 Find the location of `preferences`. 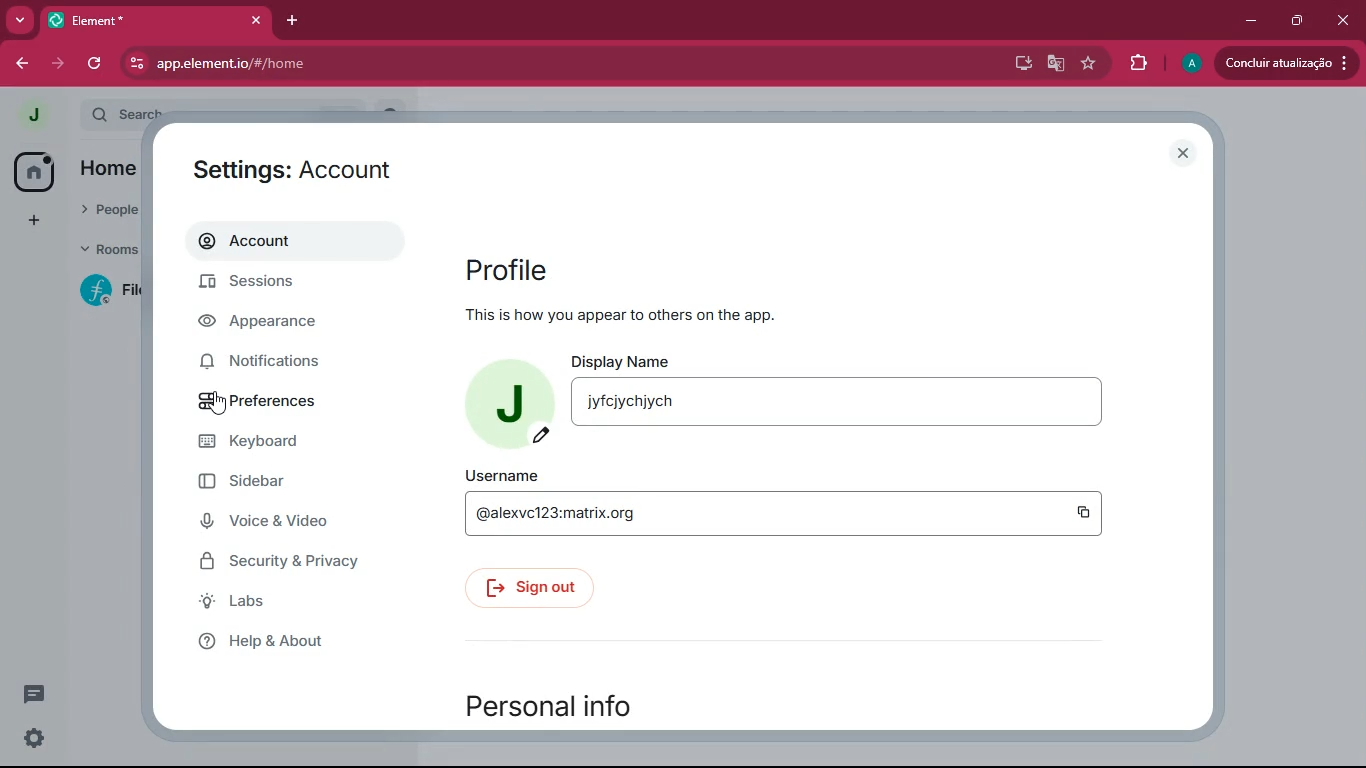

preferences is located at coordinates (279, 403).